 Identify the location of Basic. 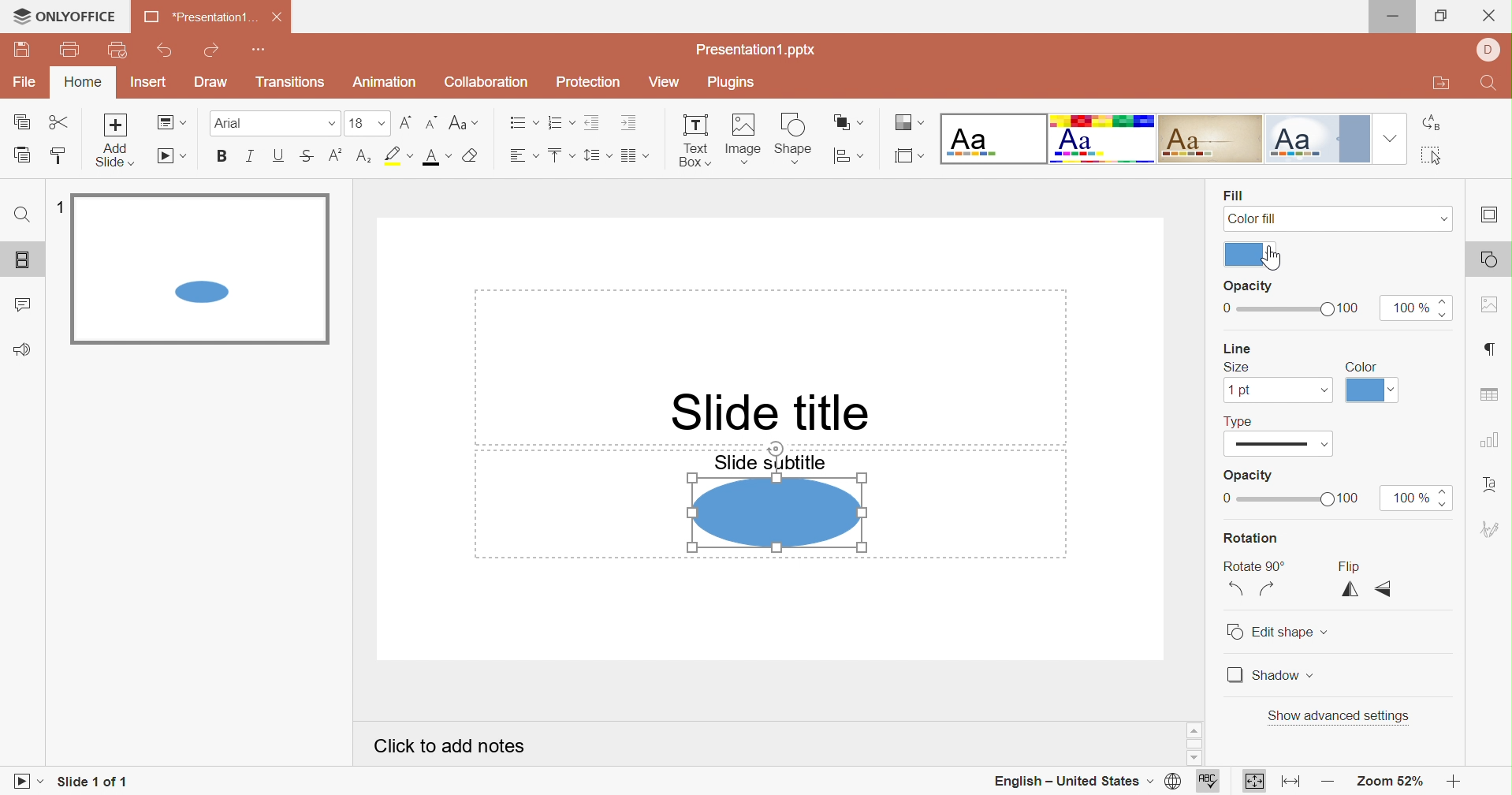
(1103, 140).